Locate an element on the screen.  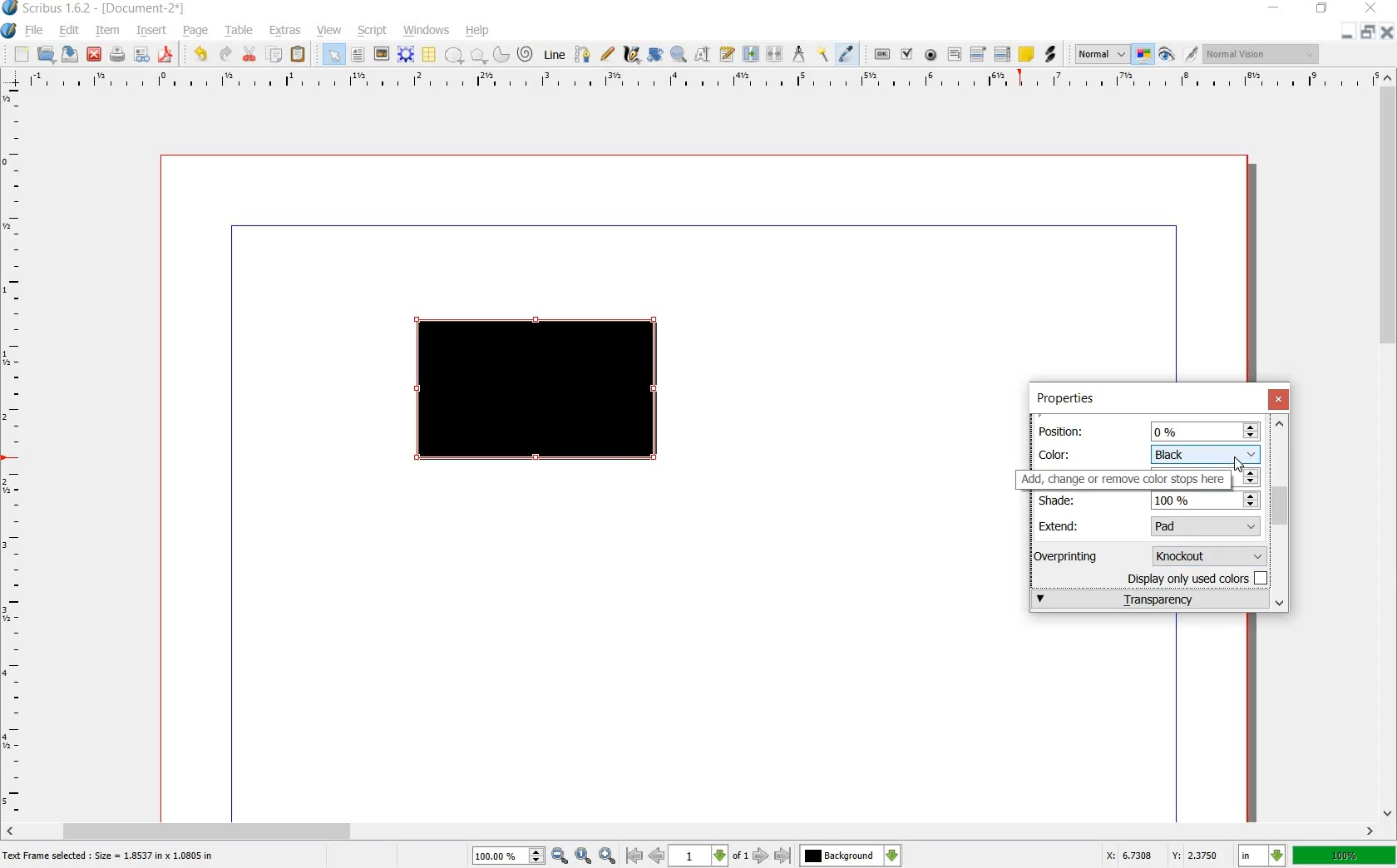
edit text with story editor is located at coordinates (726, 54).